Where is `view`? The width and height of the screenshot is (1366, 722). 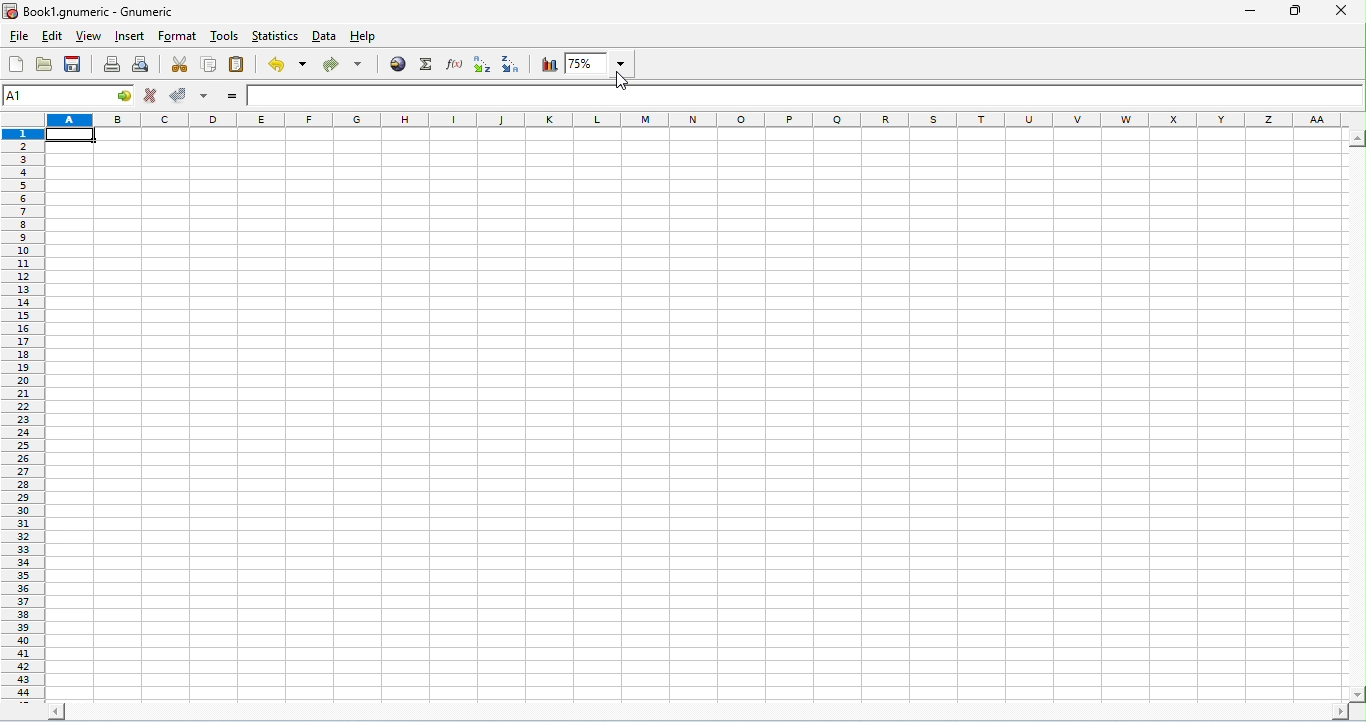 view is located at coordinates (87, 36).